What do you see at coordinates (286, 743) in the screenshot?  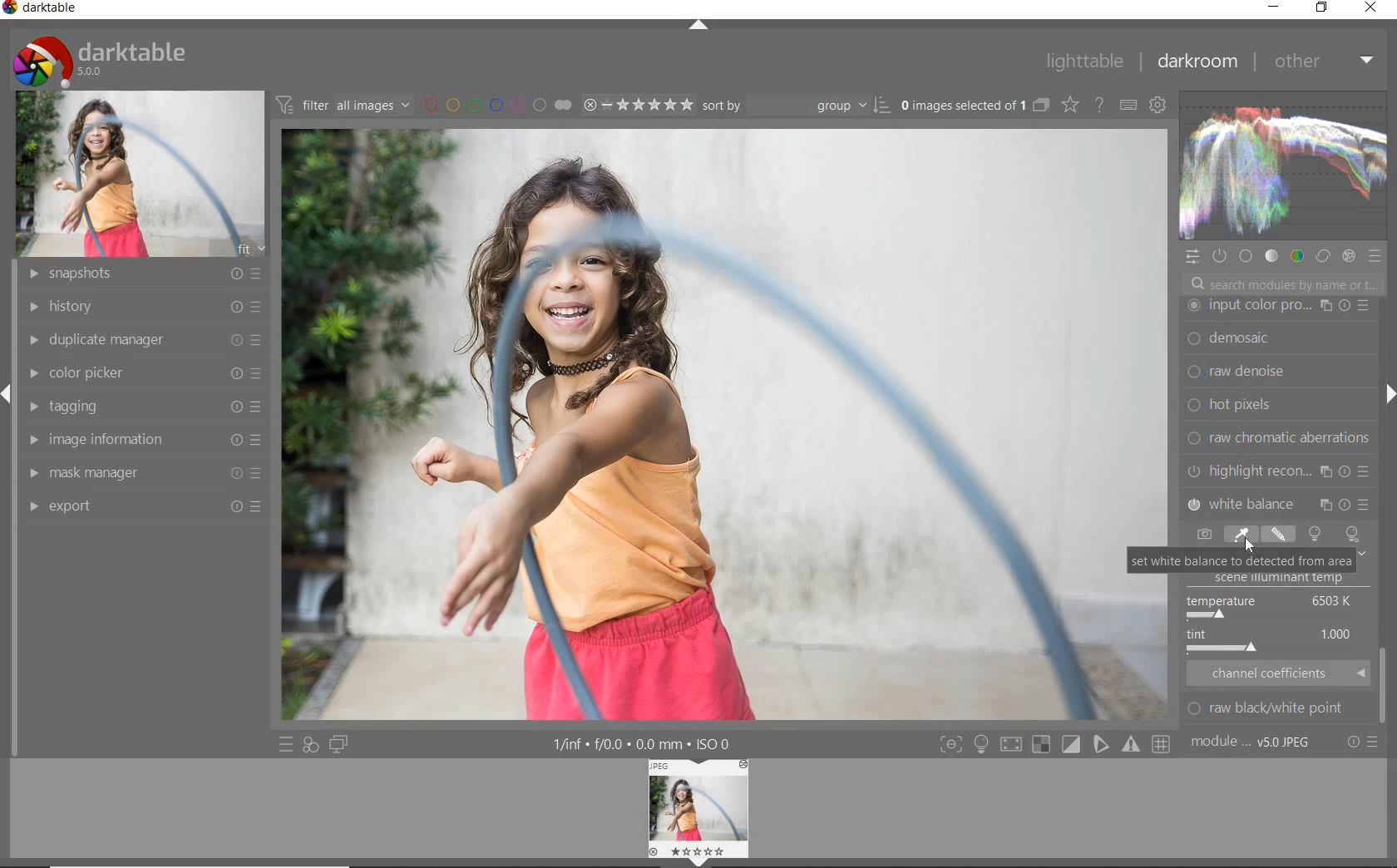 I see `quick access to preset` at bounding box center [286, 743].